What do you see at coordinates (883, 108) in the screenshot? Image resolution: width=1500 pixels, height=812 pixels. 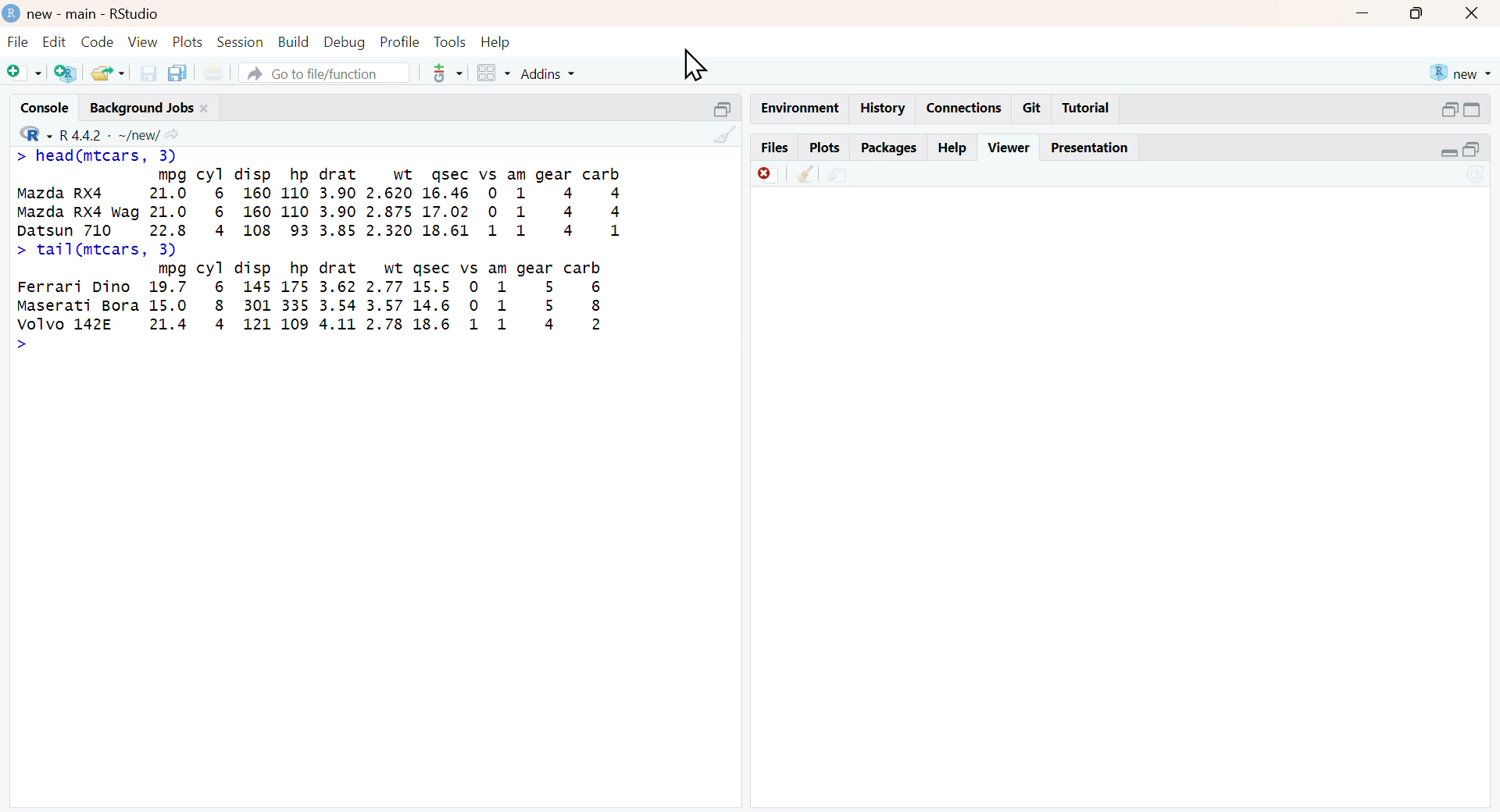 I see `History` at bounding box center [883, 108].